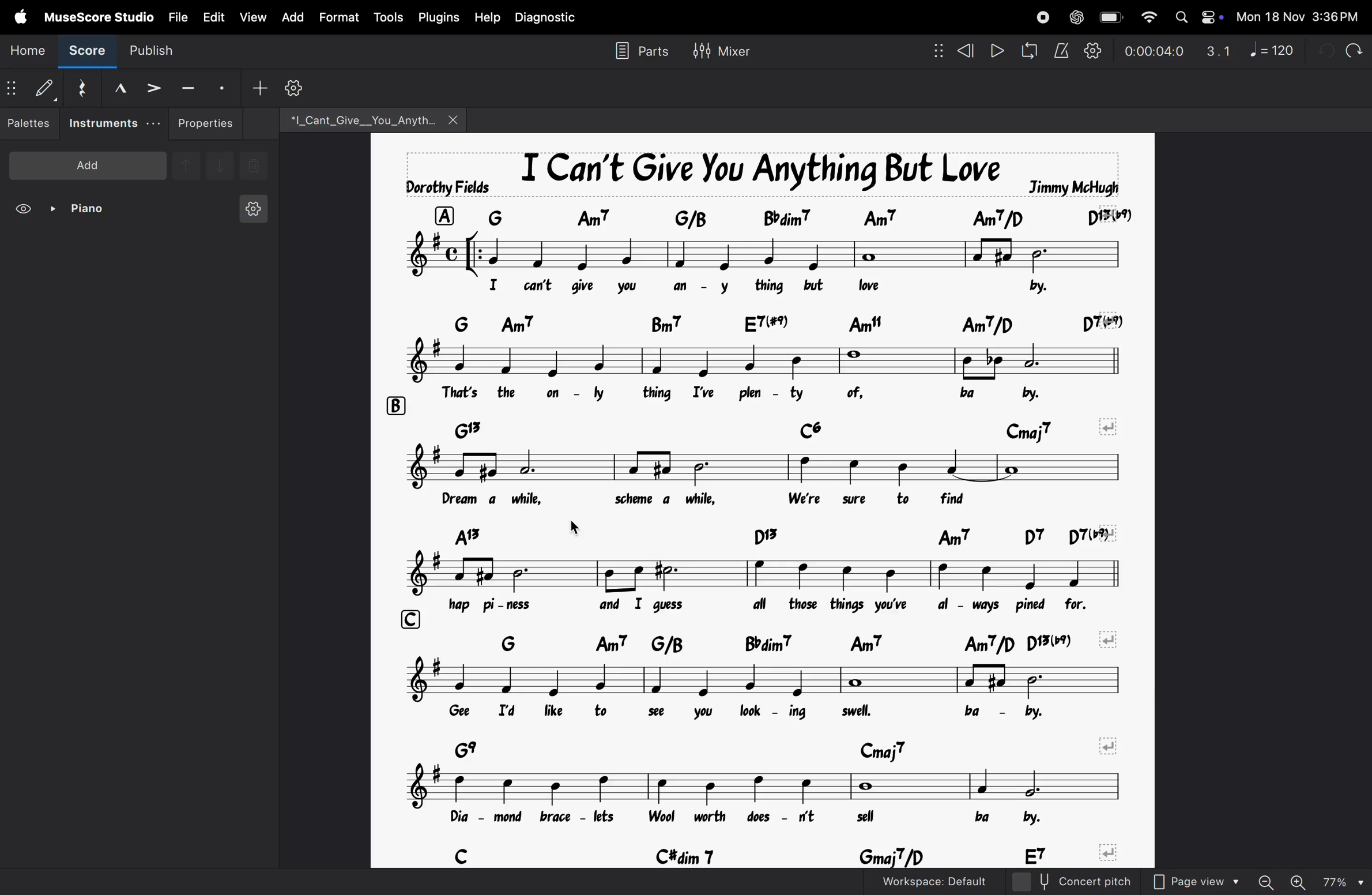 This screenshot has height=895, width=1372. I want to click on chord symbols, so click(779, 854).